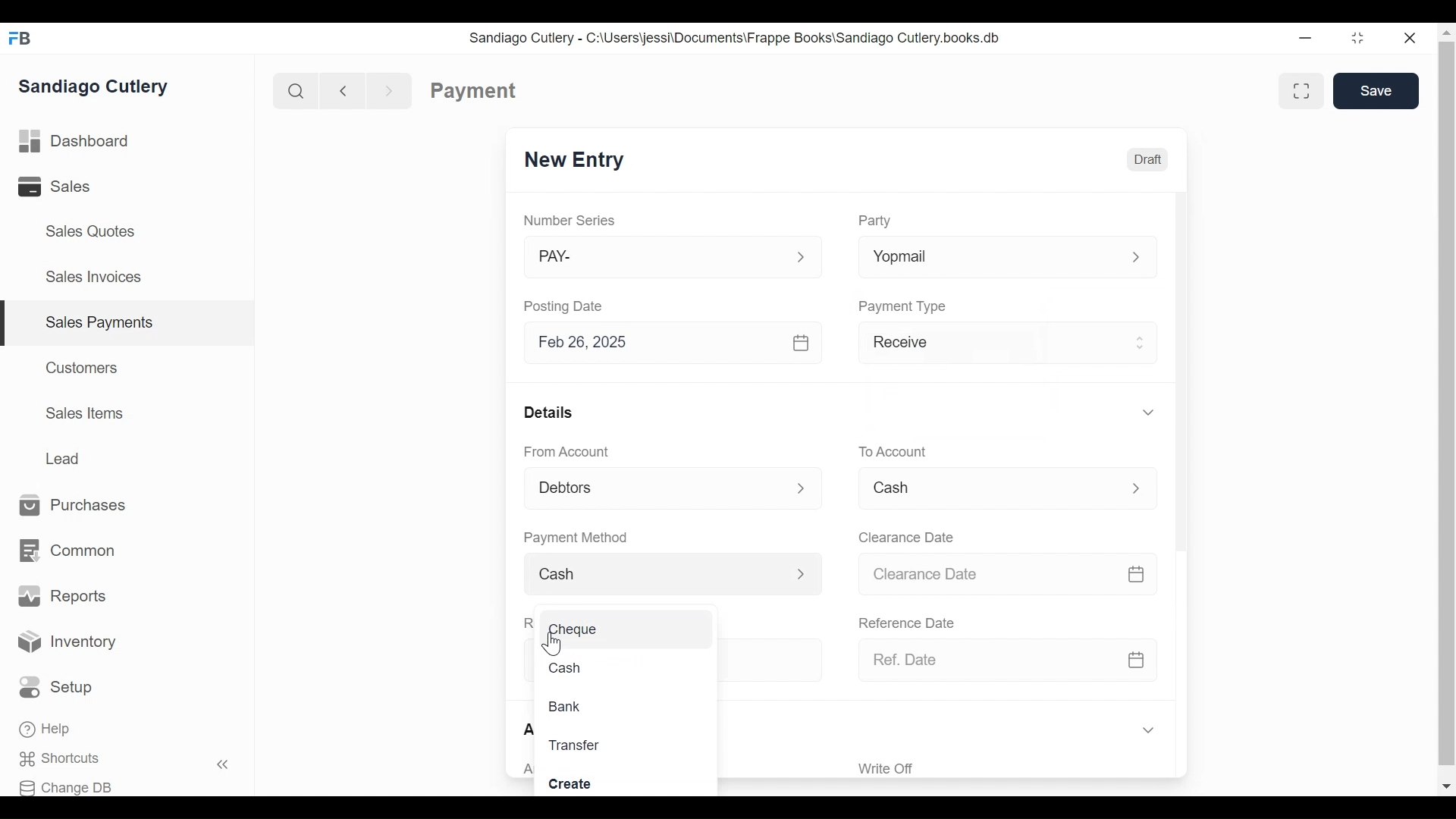 The width and height of the screenshot is (1456, 819). What do you see at coordinates (1377, 91) in the screenshot?
I see `Save` at bounding box center [1377, 91].